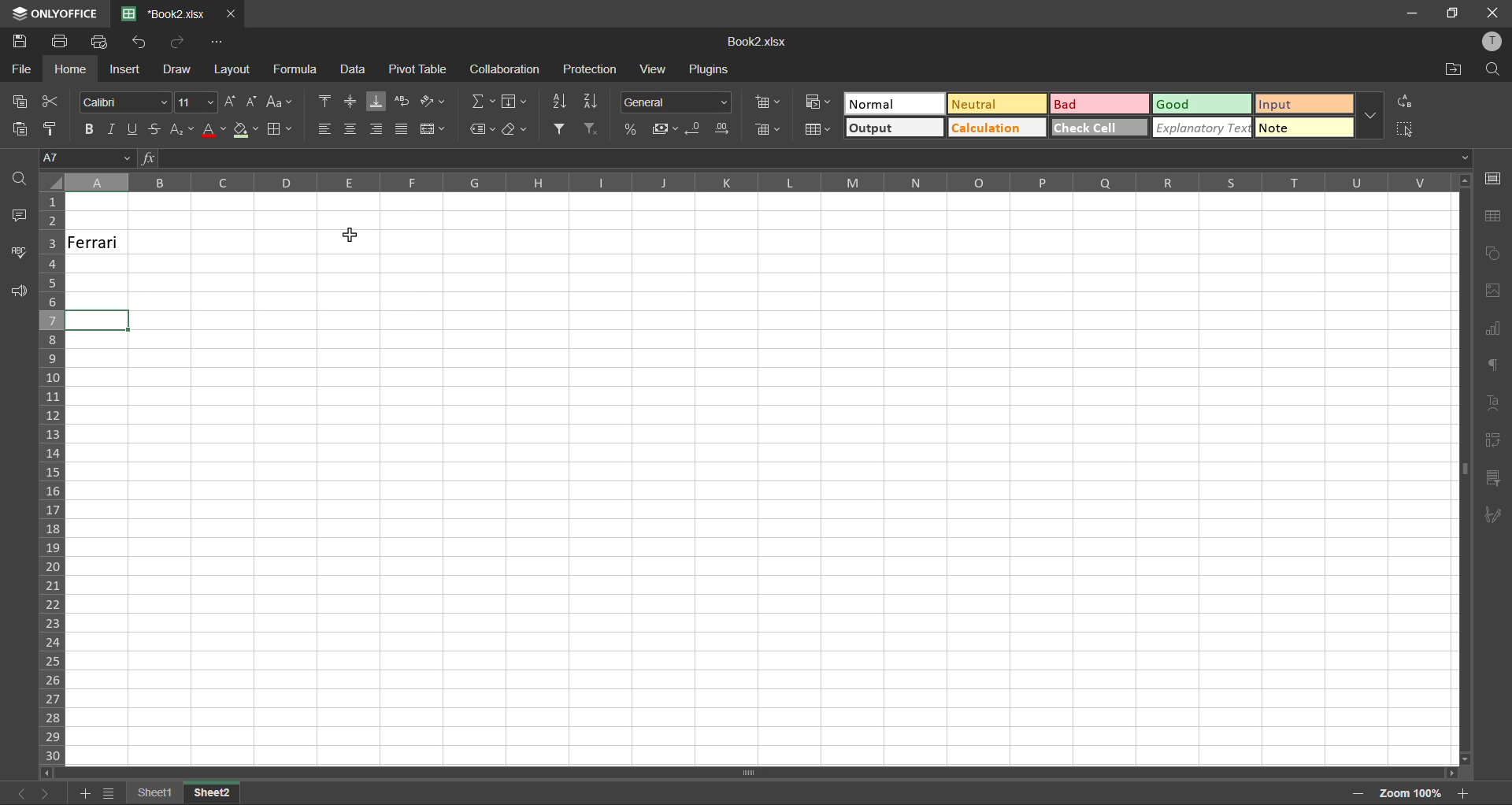 The width and height of the screenshot is (1512, 805). I want to click on open location, so click(1455, 72).